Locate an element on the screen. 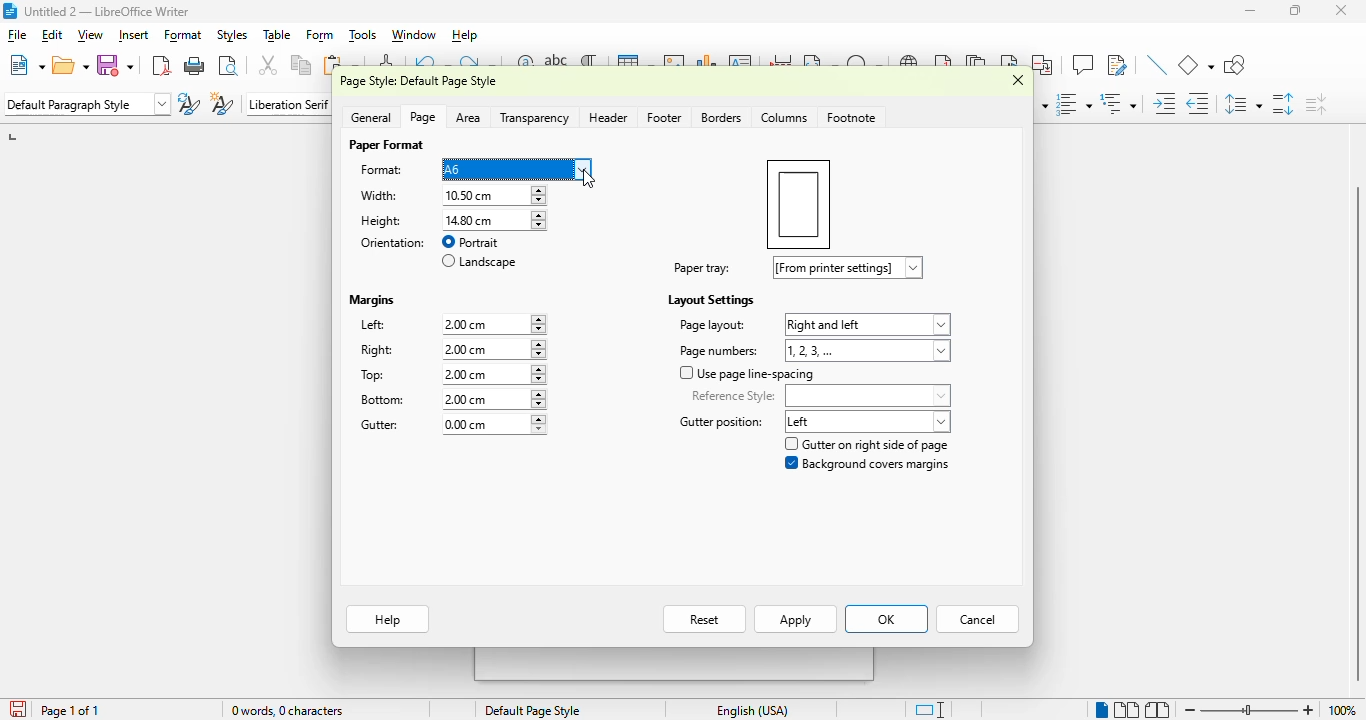  general is located at coordinates (372, 118).